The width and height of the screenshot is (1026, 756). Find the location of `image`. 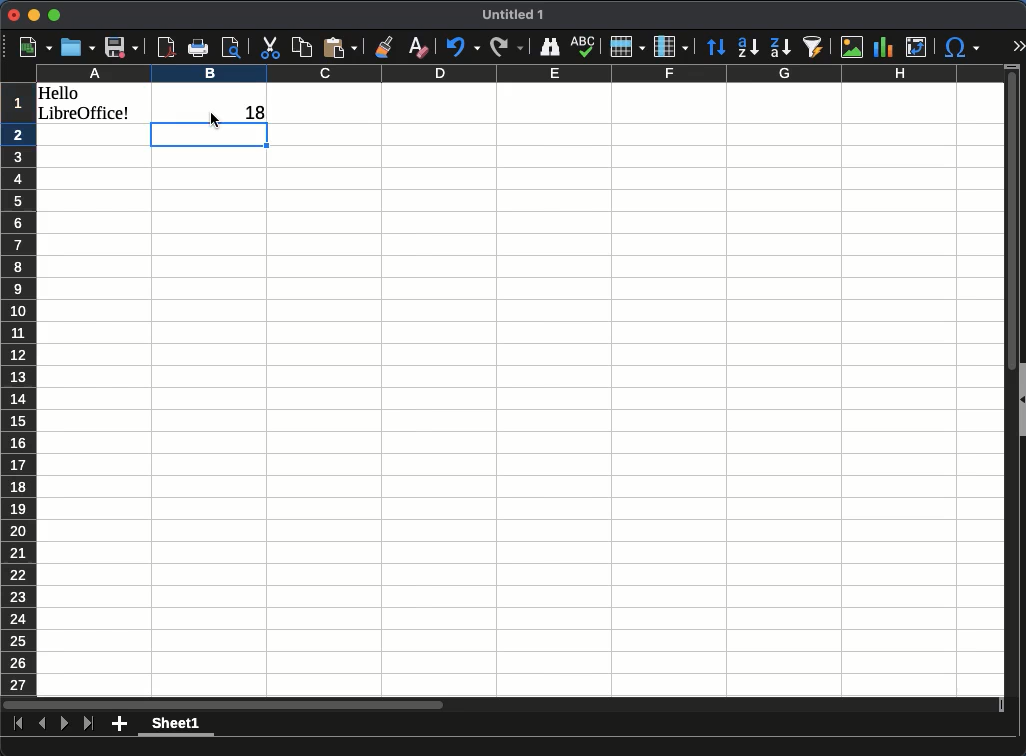

image is located at coordinates (851, 47).